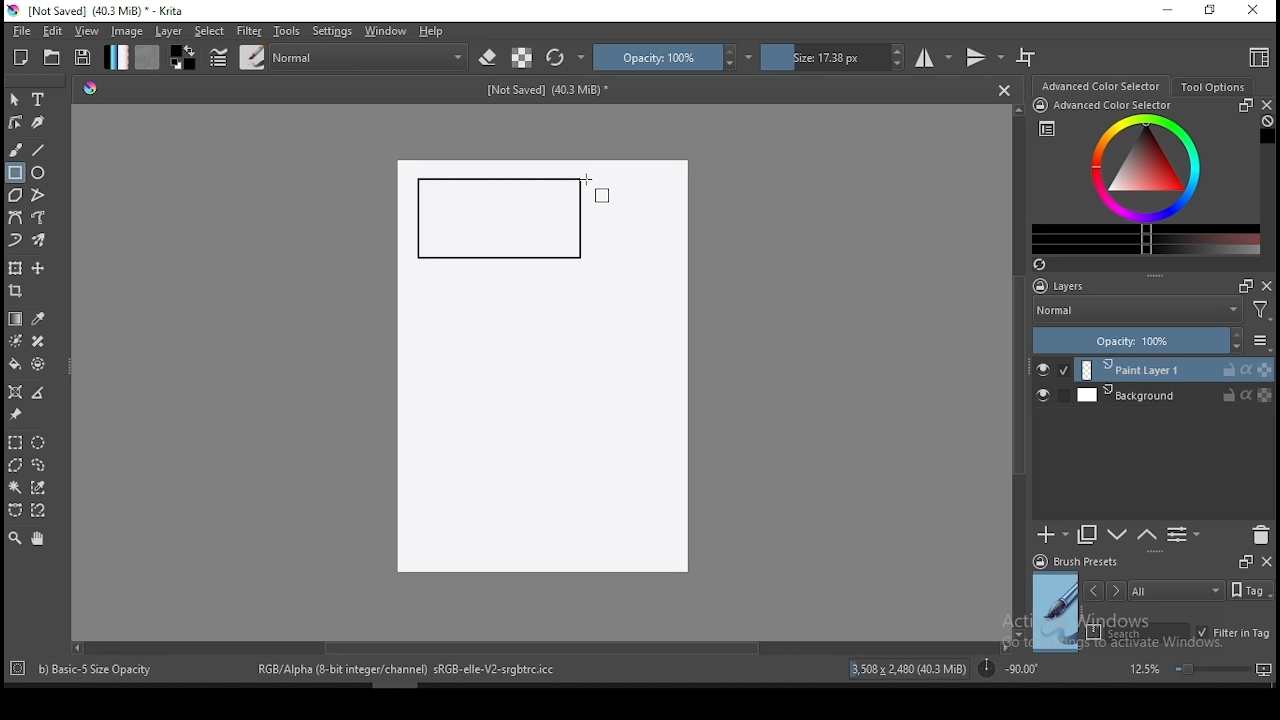  I want to click on bezier curve tool, so click(14, 219).